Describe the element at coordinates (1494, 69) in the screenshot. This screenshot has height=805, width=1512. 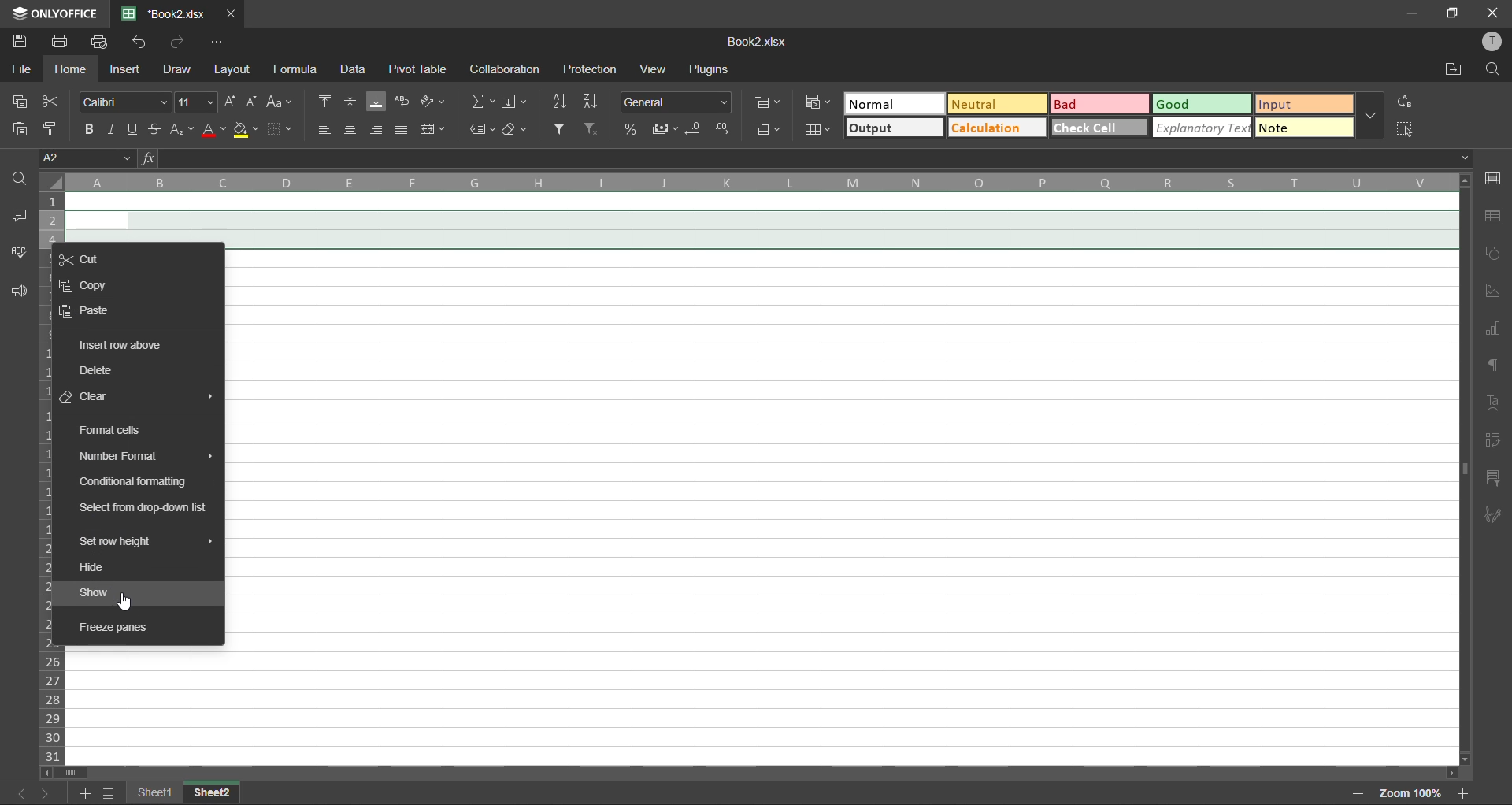
I see `find` at that location.